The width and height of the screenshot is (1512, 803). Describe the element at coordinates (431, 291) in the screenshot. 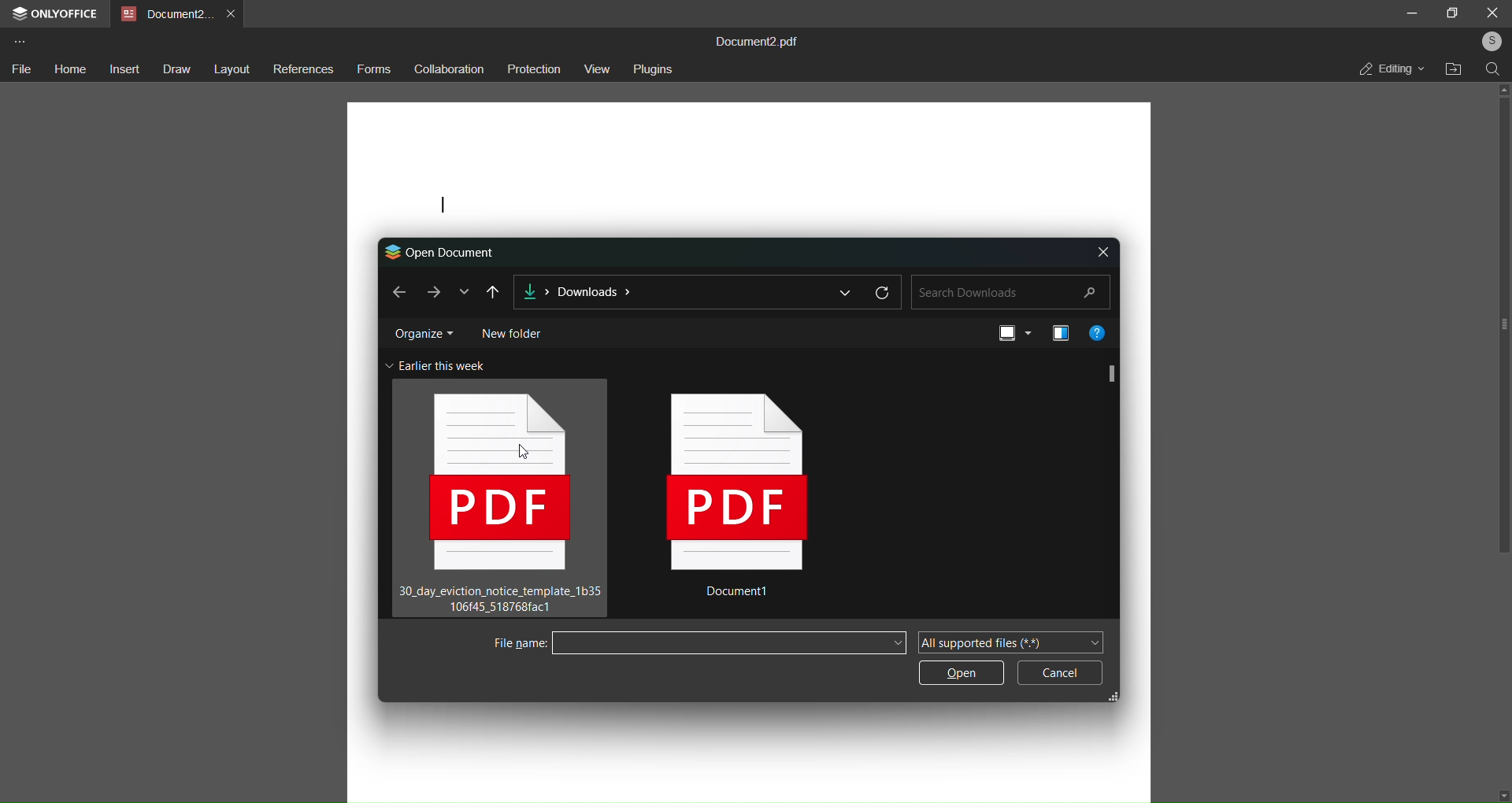

I see `forward` at that location.